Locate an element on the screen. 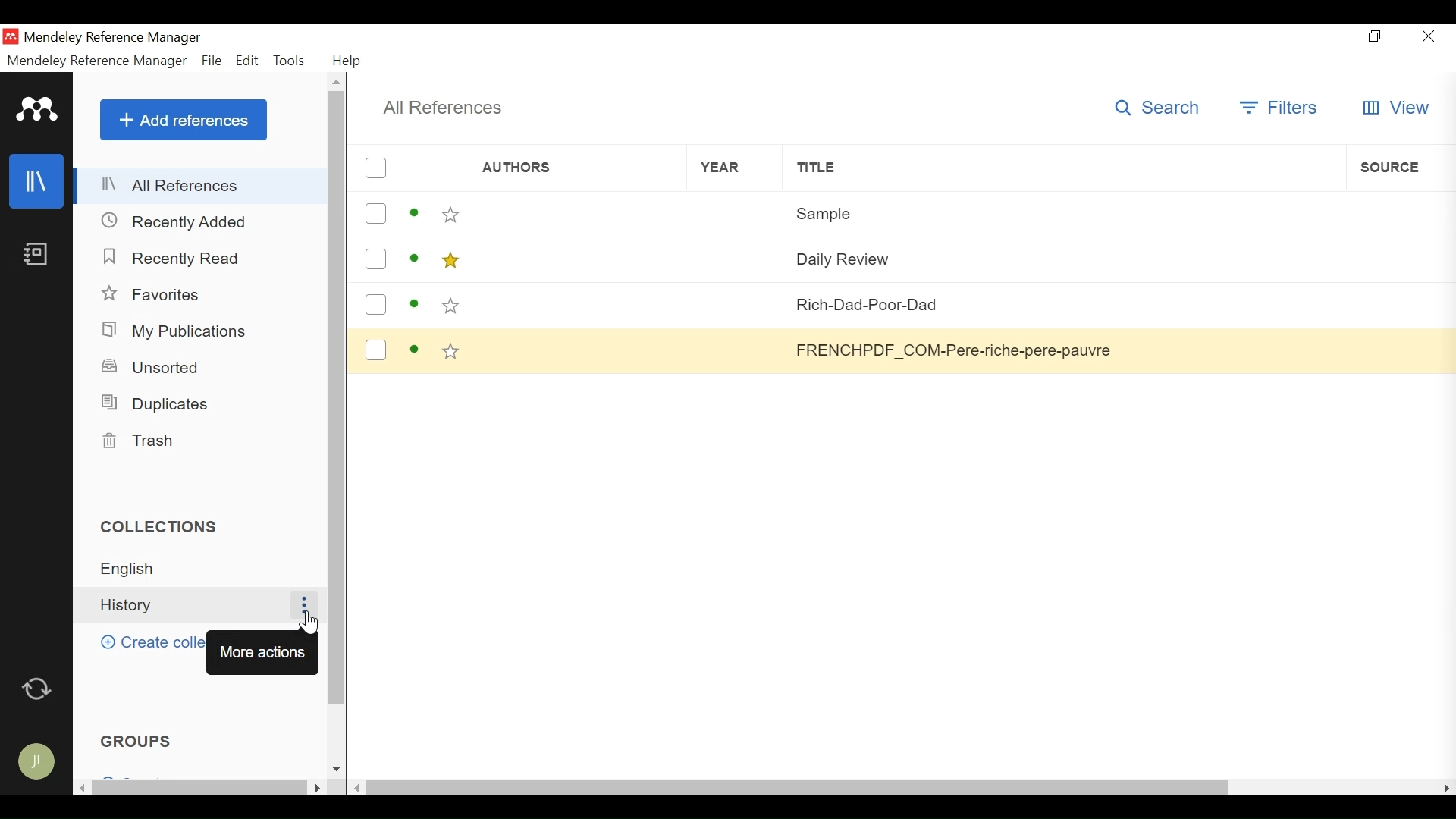 The image size is (1456, 819). Groups is located at coordinates (139, 740).